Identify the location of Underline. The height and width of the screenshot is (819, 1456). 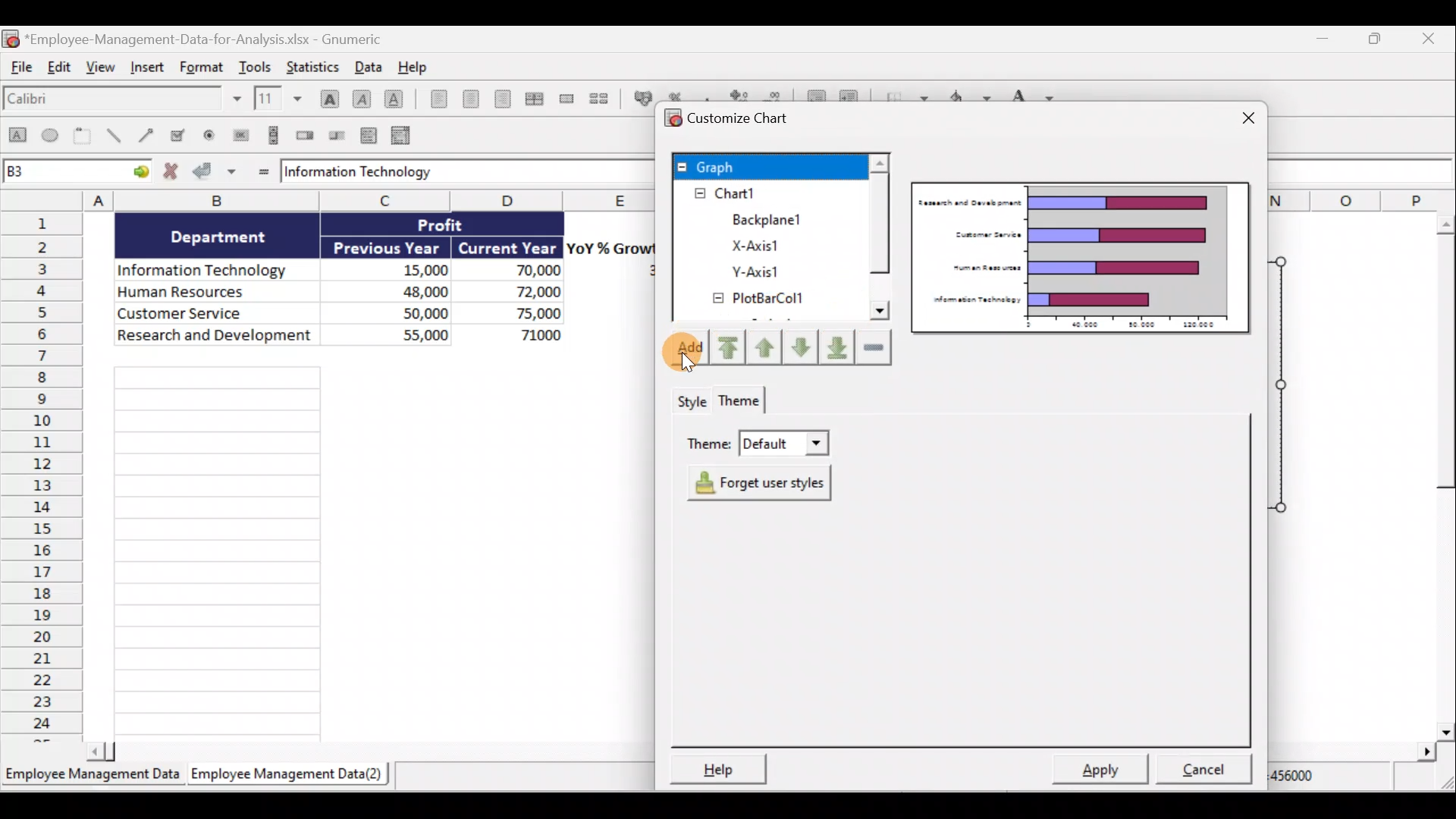
(397, 102).